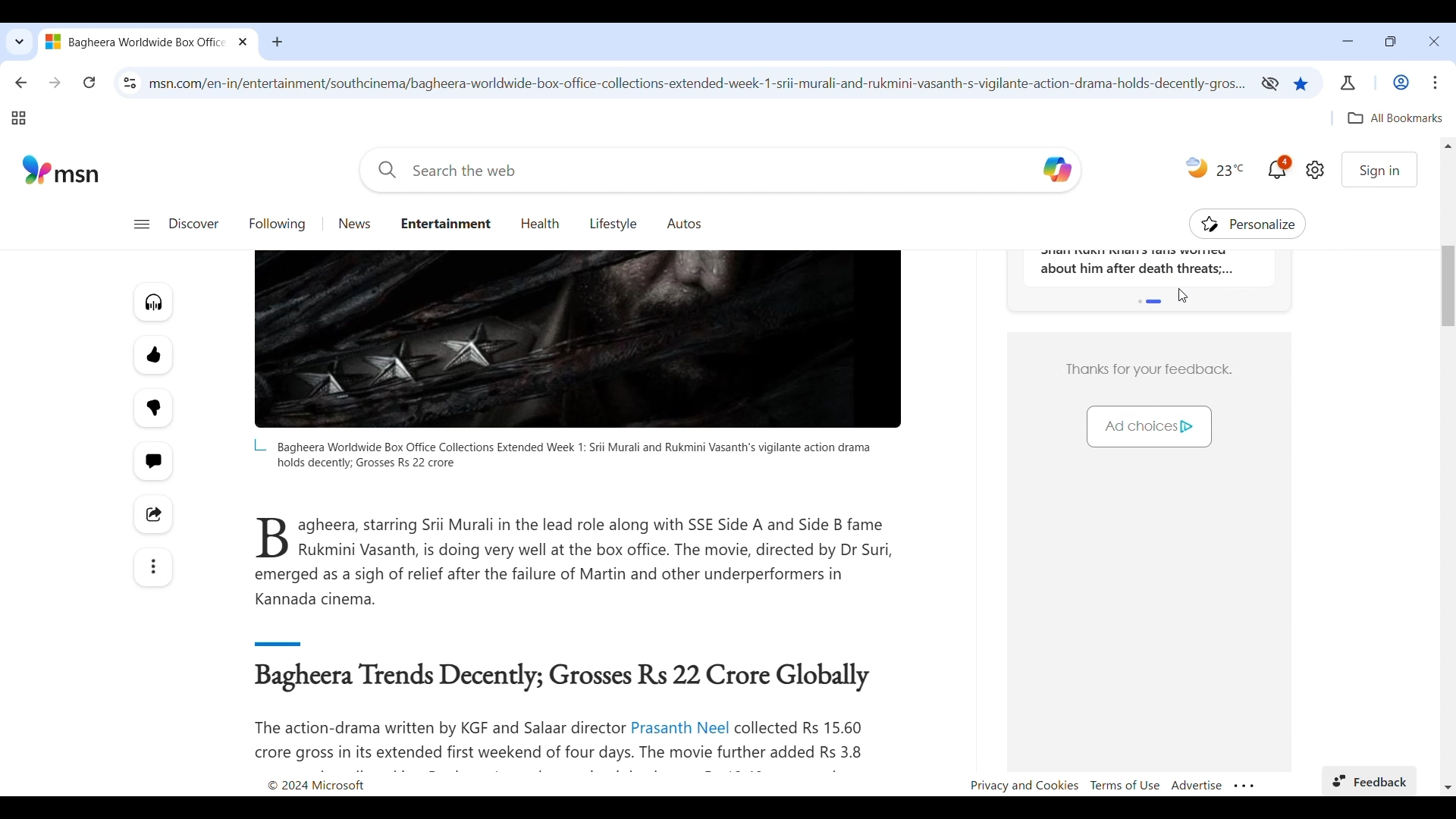 This screenshot has height=819, width=1456. What do you see at coordinates (541, 224) in the screenshot?
I see `Go to health page` at bounding box center [541, 224].